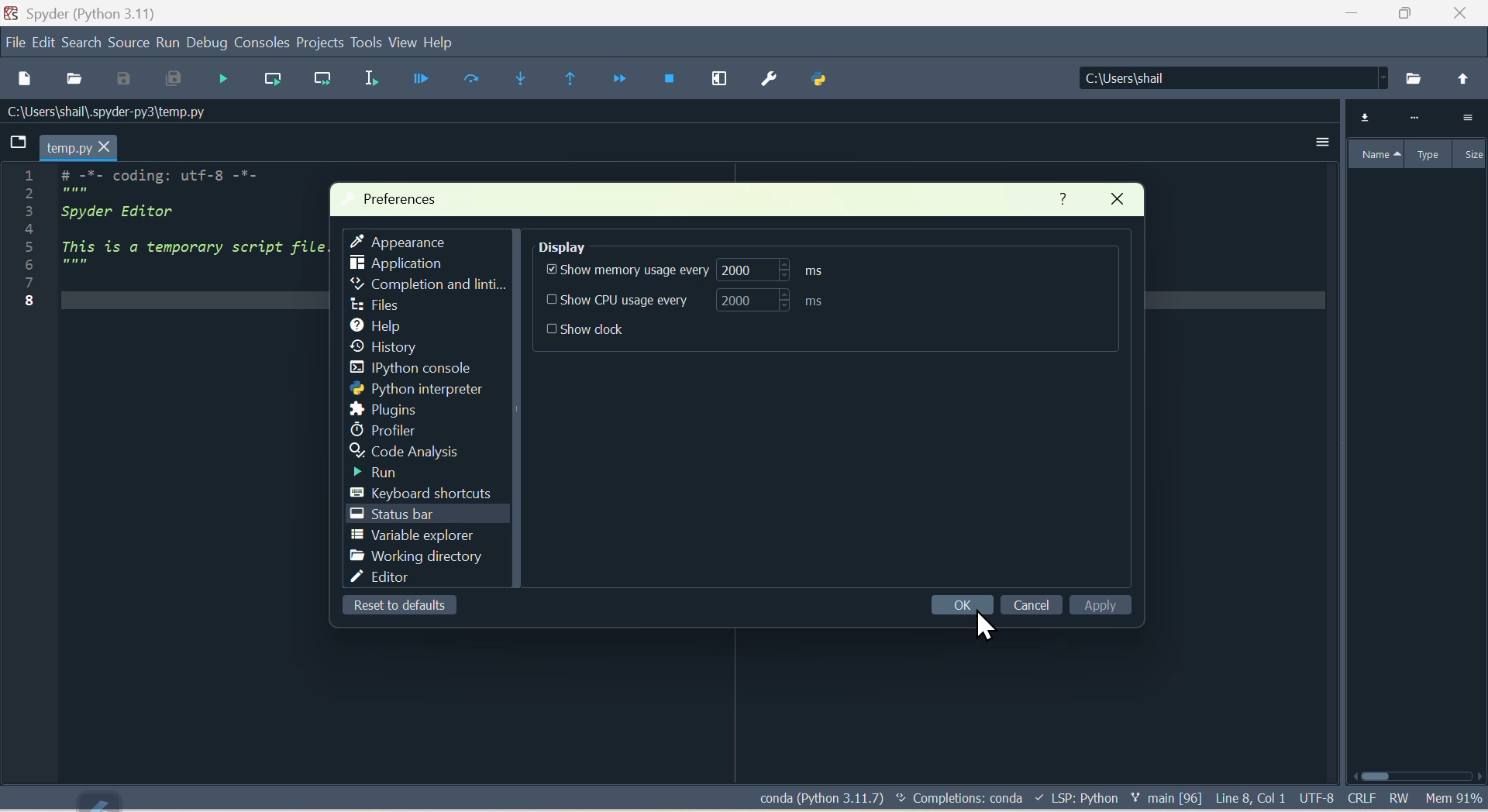 The width and height of the screenshot is (1488, 812). Describe the element at coordinates (1311, 146) in the screenshot. I see `More options` at that location.